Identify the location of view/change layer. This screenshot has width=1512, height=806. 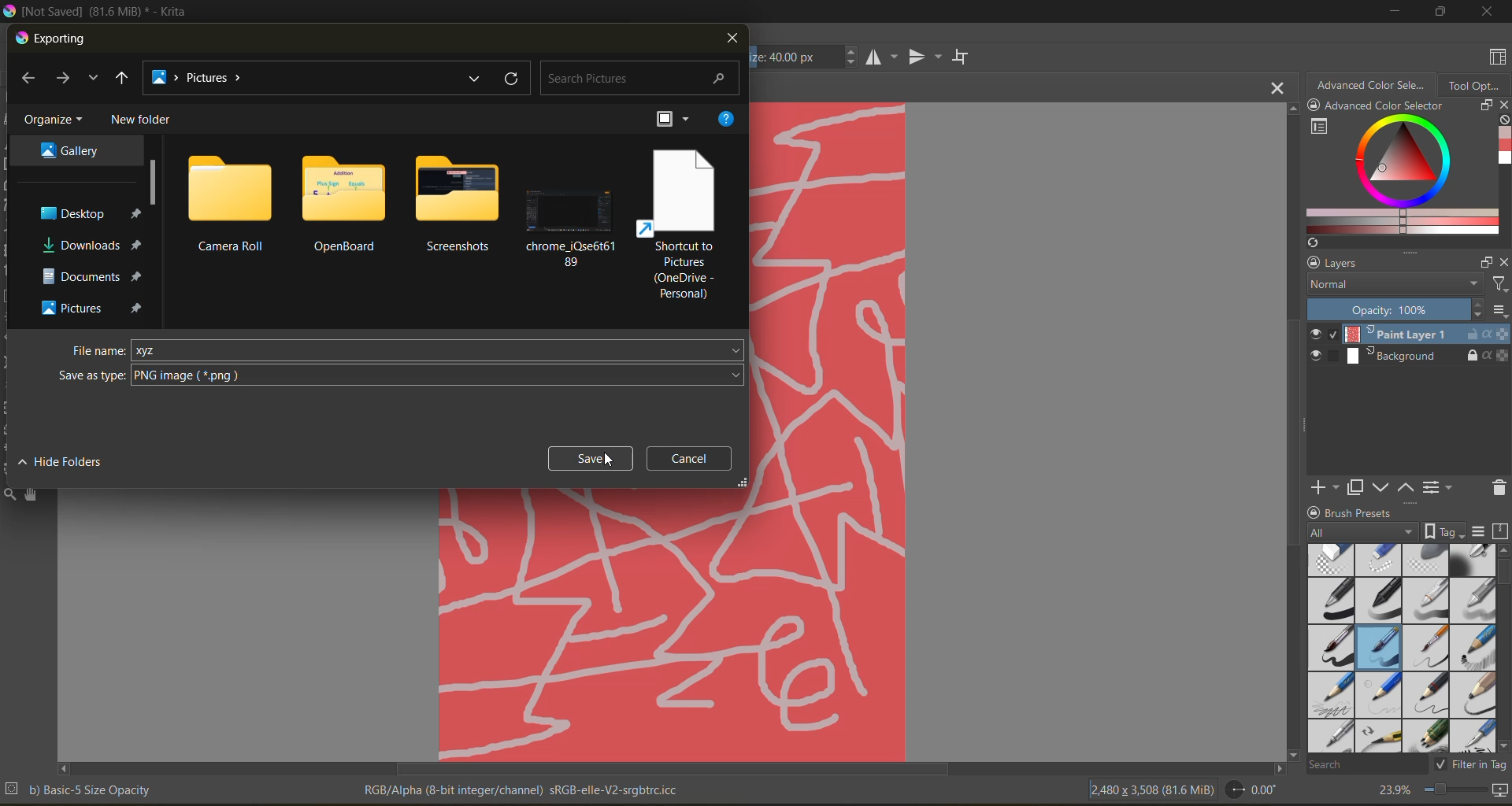
(1442, 486).